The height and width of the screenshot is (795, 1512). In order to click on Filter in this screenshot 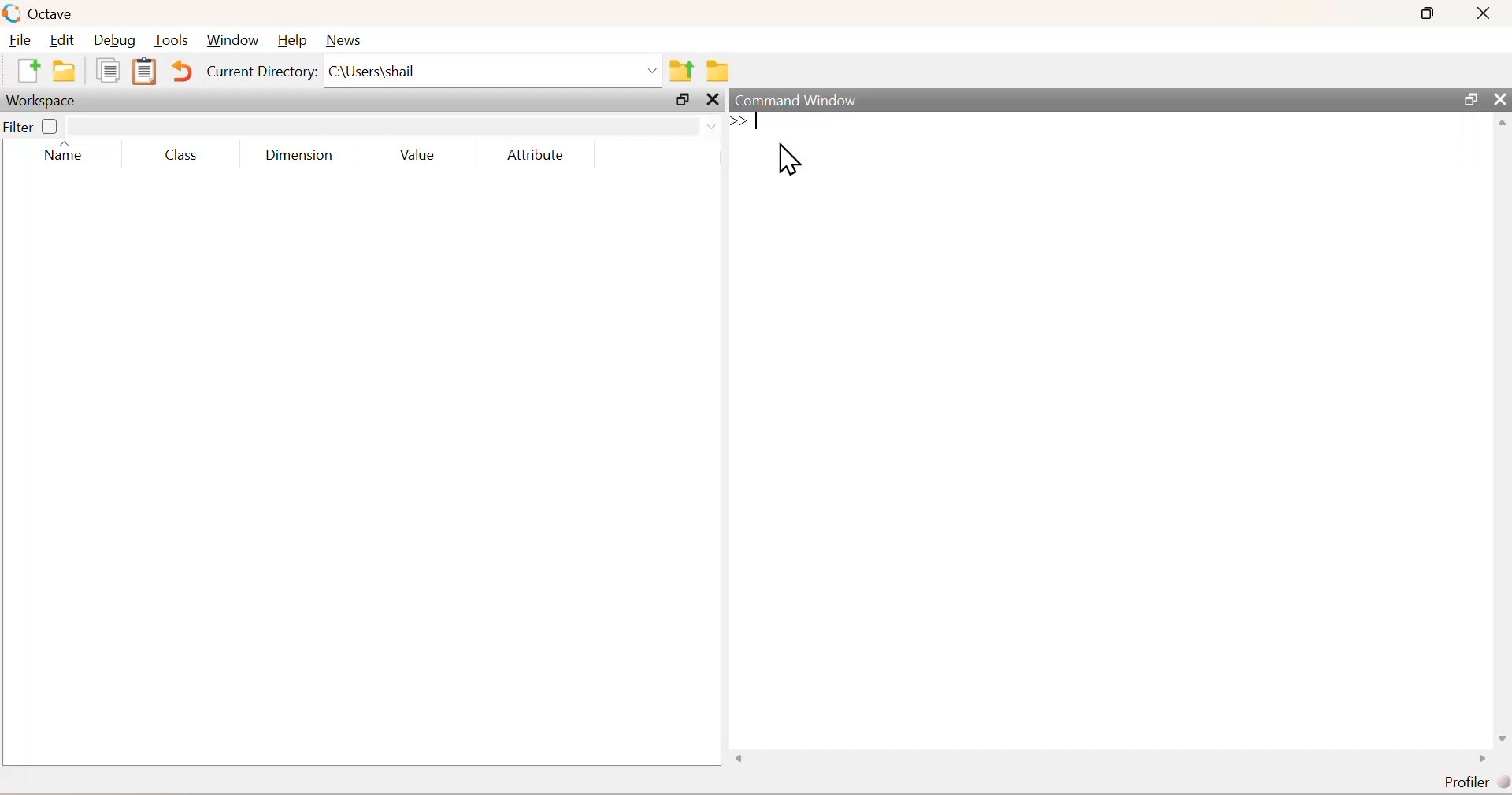, I will do `click(31, 126)`.